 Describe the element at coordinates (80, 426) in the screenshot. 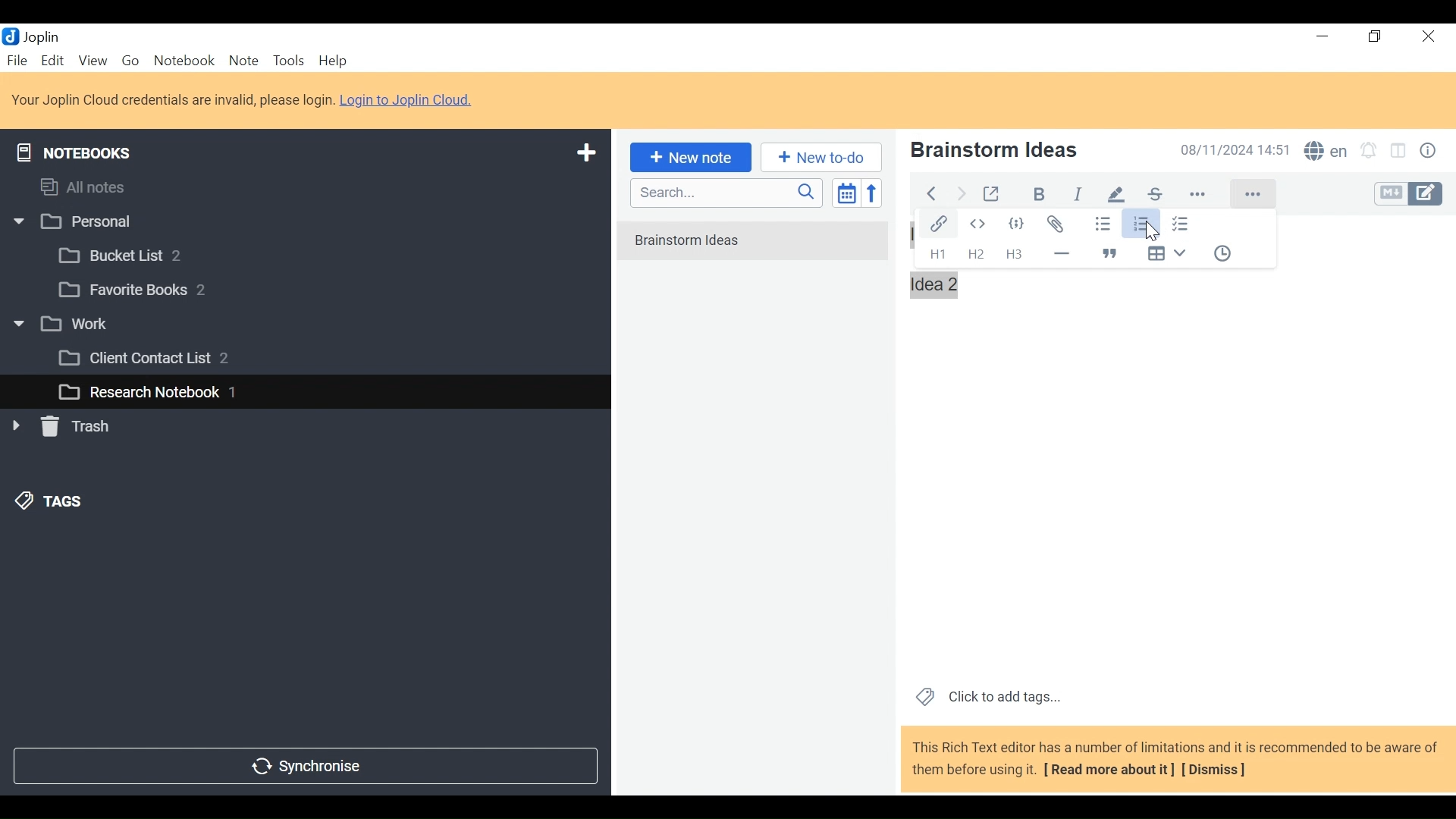

I see `» [ Trash` at that location.